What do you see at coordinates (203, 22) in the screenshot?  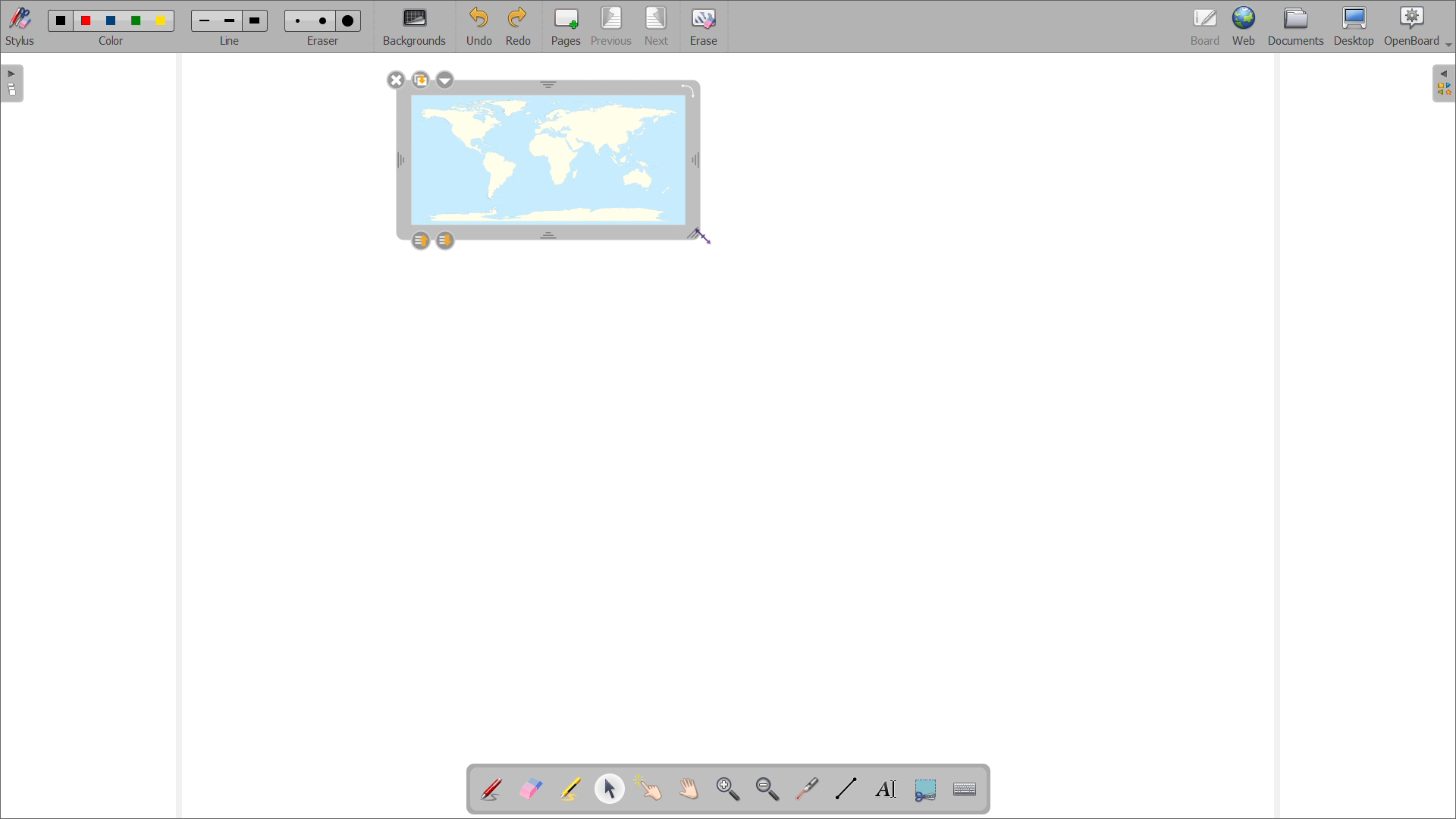 I see `small` at bounding box center [203, 22].